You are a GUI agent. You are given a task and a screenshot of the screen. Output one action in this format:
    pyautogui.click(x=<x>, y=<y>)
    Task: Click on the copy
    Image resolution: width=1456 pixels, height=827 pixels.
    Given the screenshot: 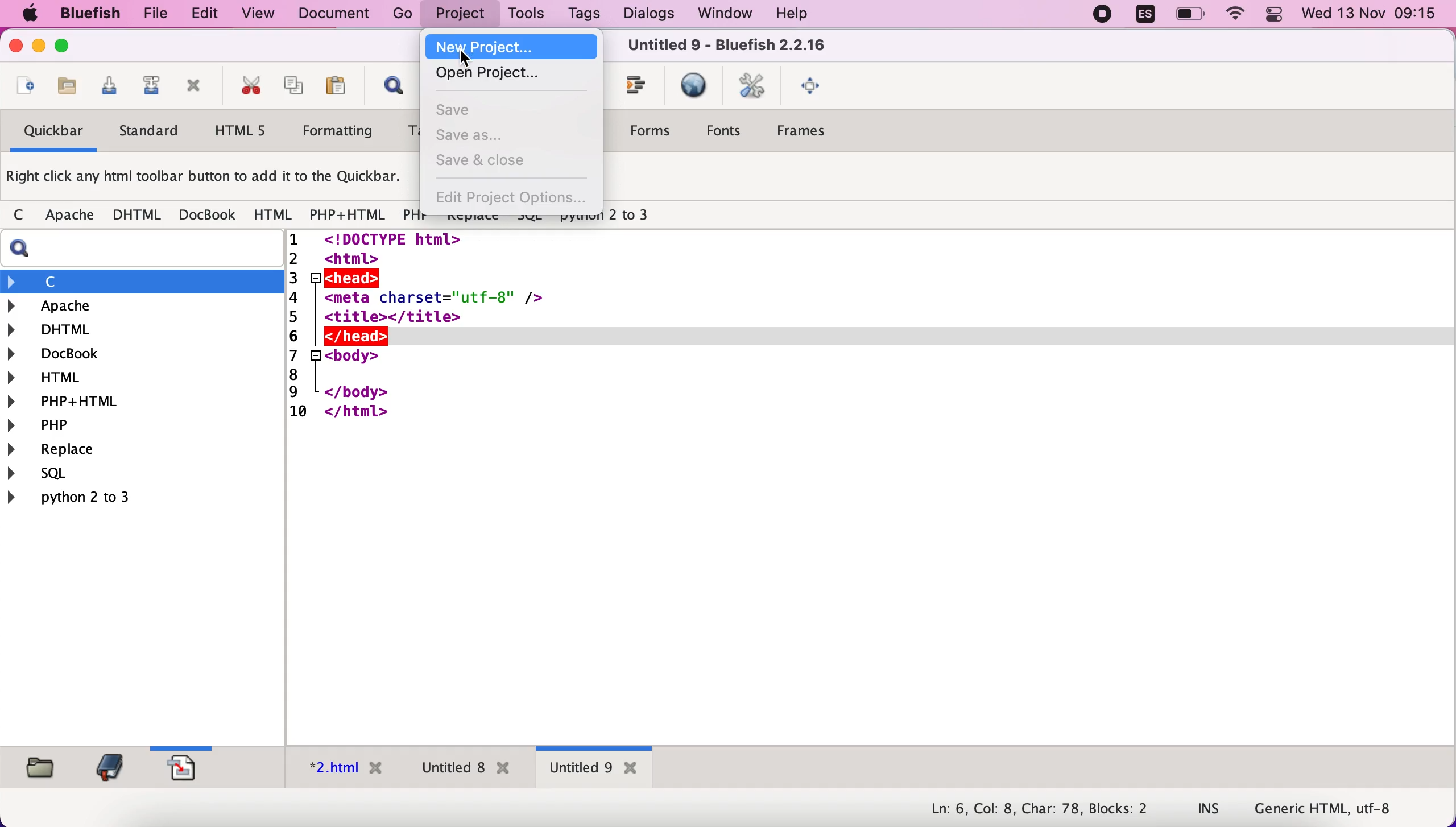 What is the action you would take?
    pyautogui.click(x=290, y=87)
    